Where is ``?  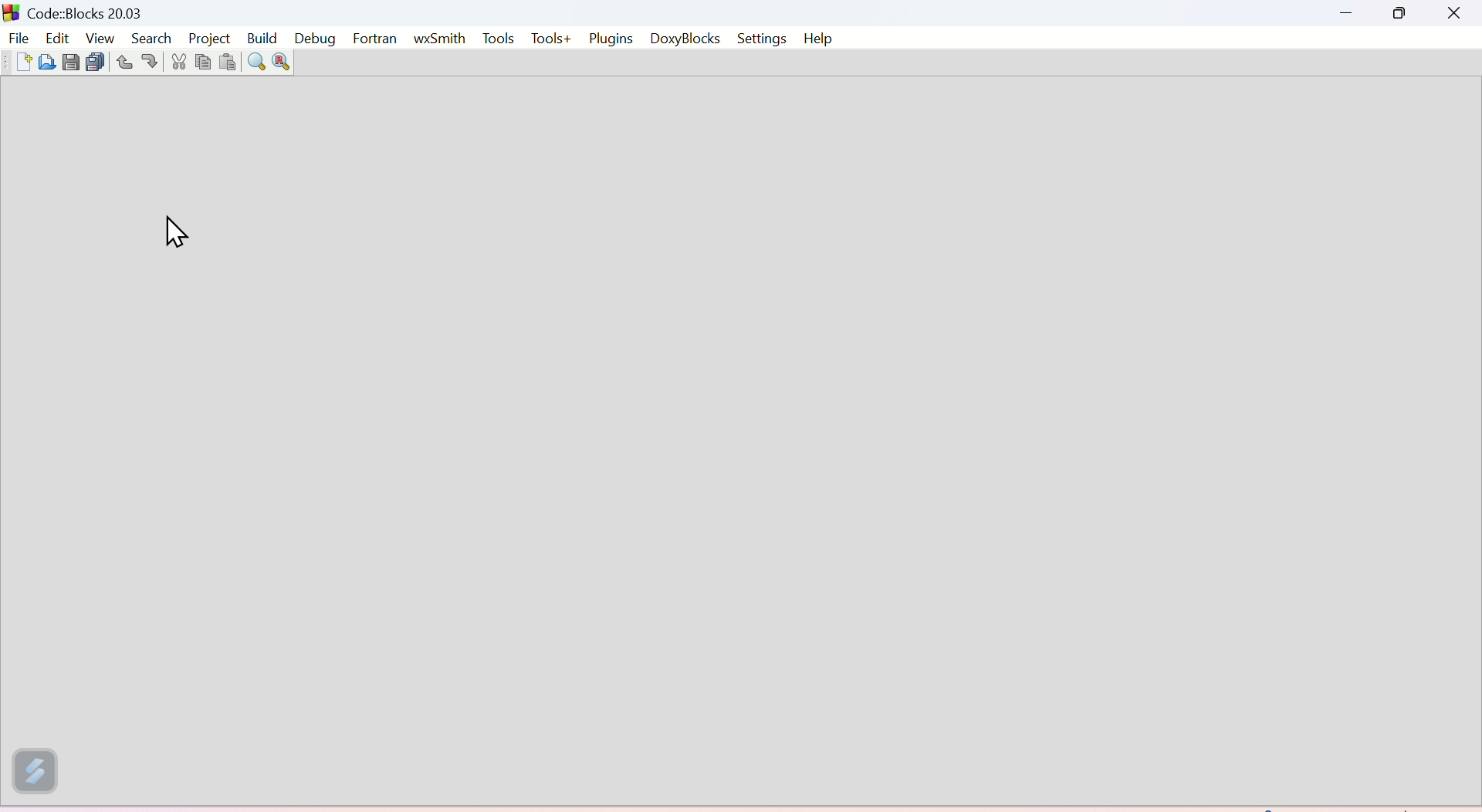  is located at coordinates (9, 11).